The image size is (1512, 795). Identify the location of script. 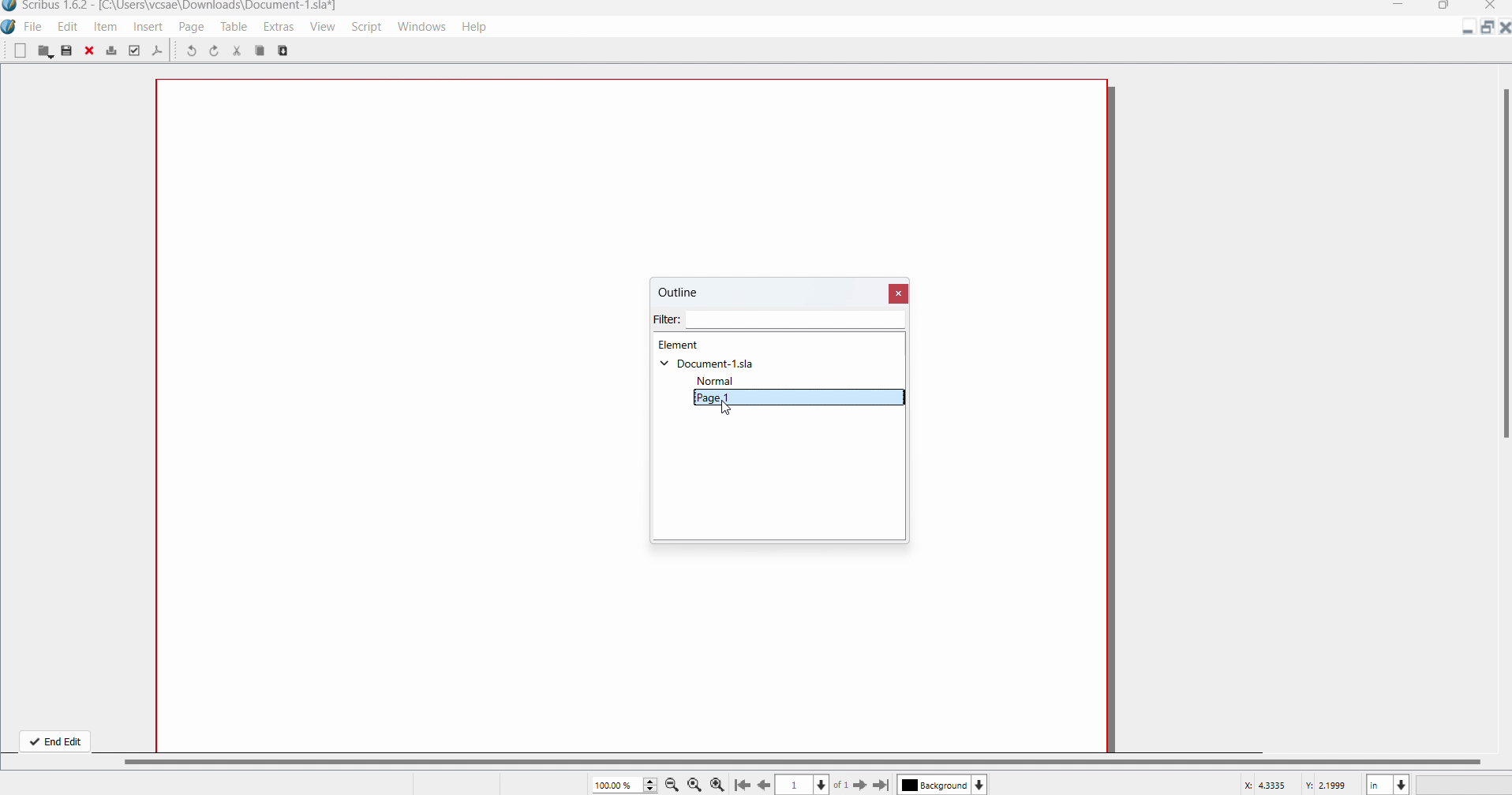
(365, 27).